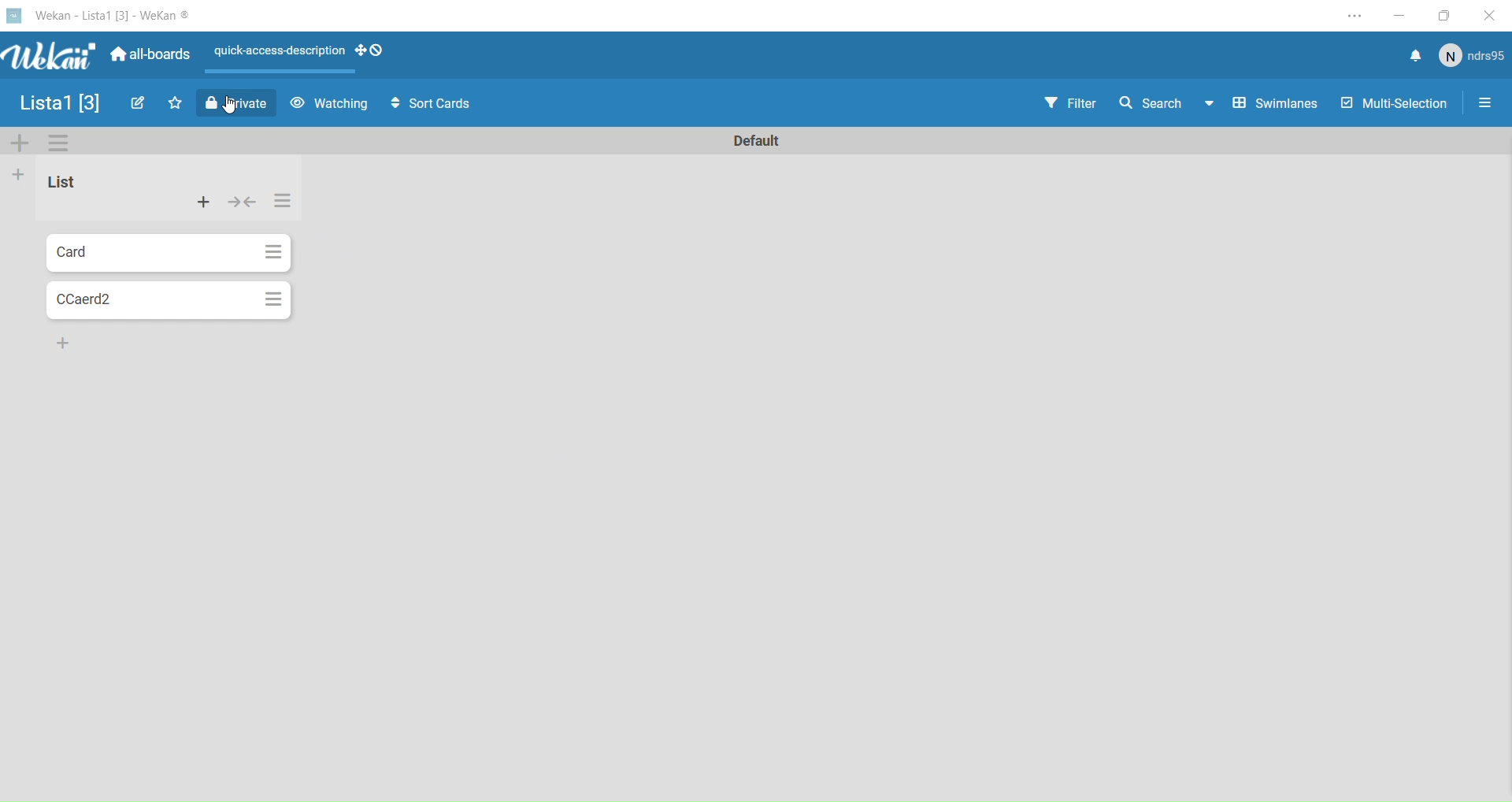 The width and height of the screenshot is (1512, 802). What do you see at coordinates (60, 342) in the screenshot?
I see `Add` at bounding box center [60, 342].